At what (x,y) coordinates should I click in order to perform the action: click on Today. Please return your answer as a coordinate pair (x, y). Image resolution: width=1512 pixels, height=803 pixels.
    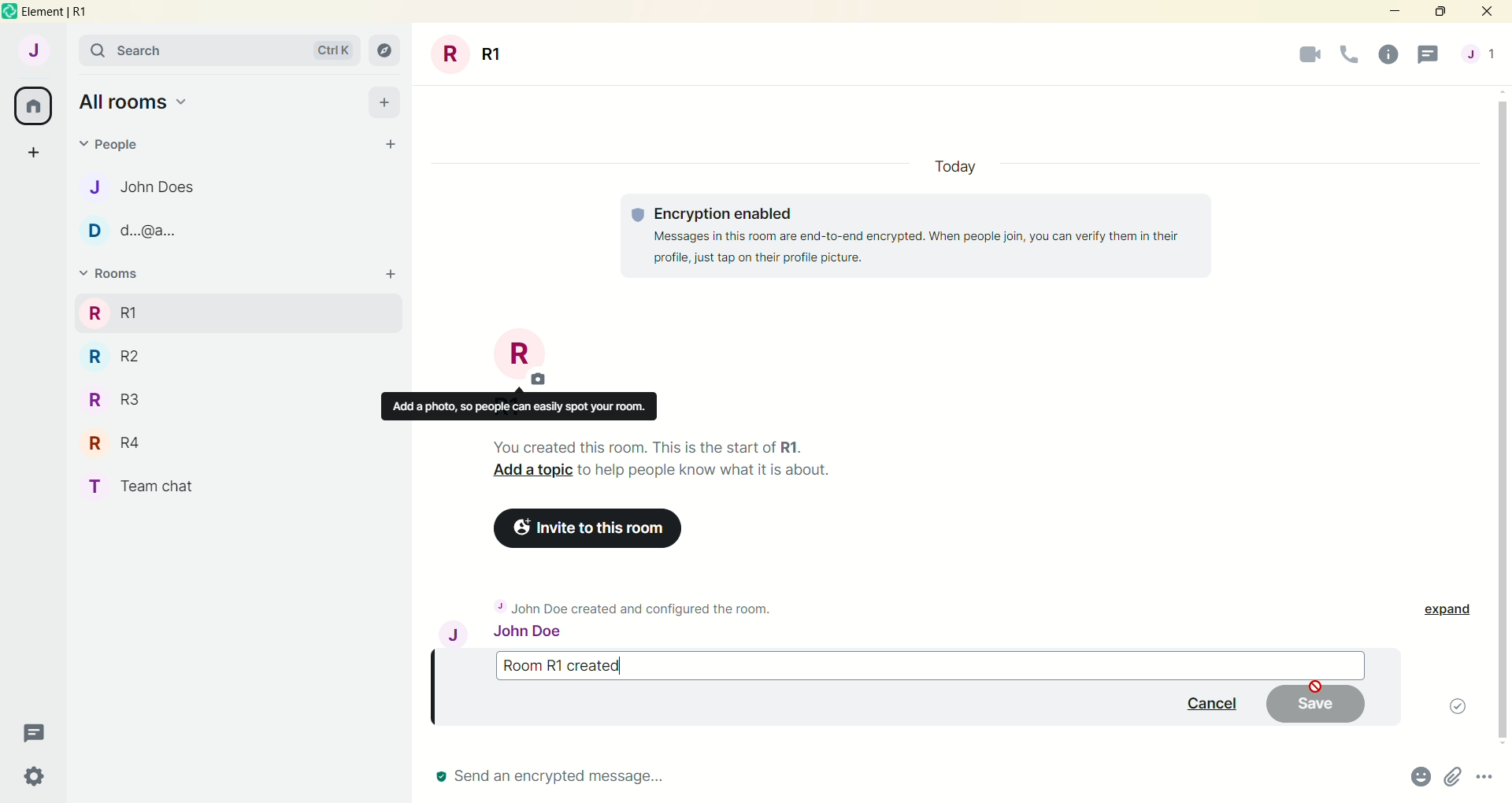
    Looking at the image, I should click on (953, 164).